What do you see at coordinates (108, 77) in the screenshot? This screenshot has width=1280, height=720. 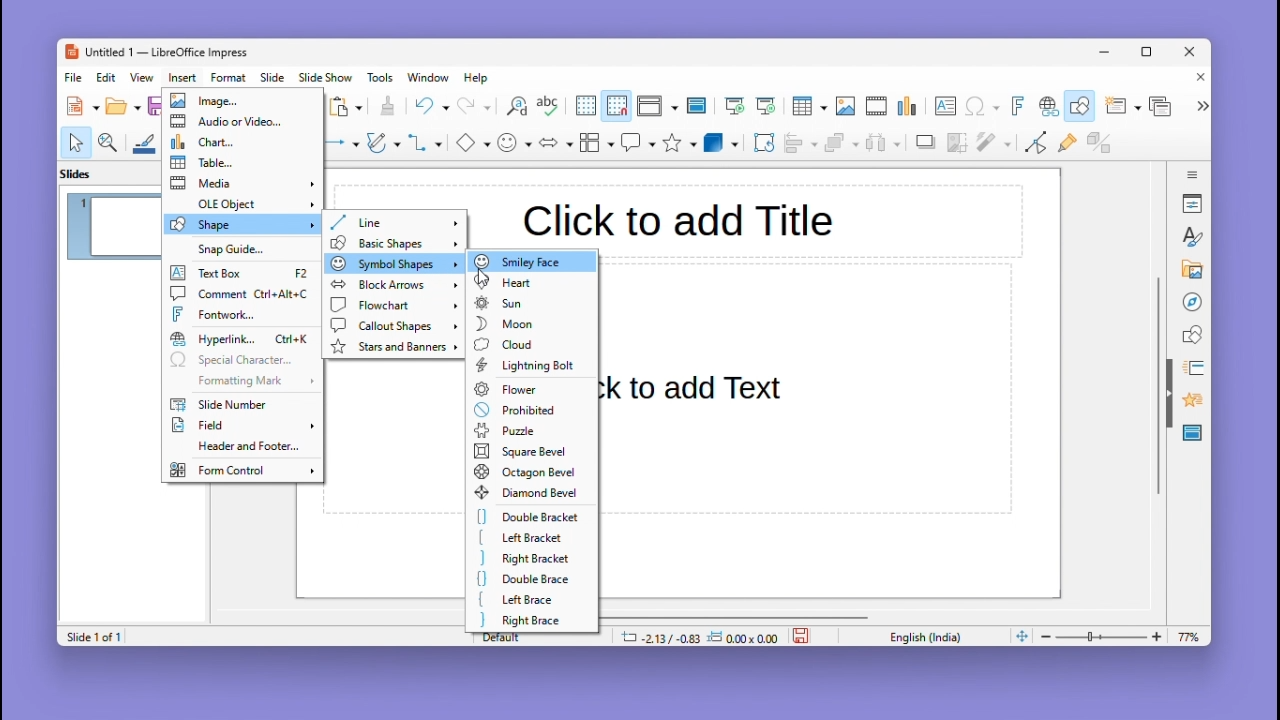 I see `Edit` at bounding box center [108, 77].